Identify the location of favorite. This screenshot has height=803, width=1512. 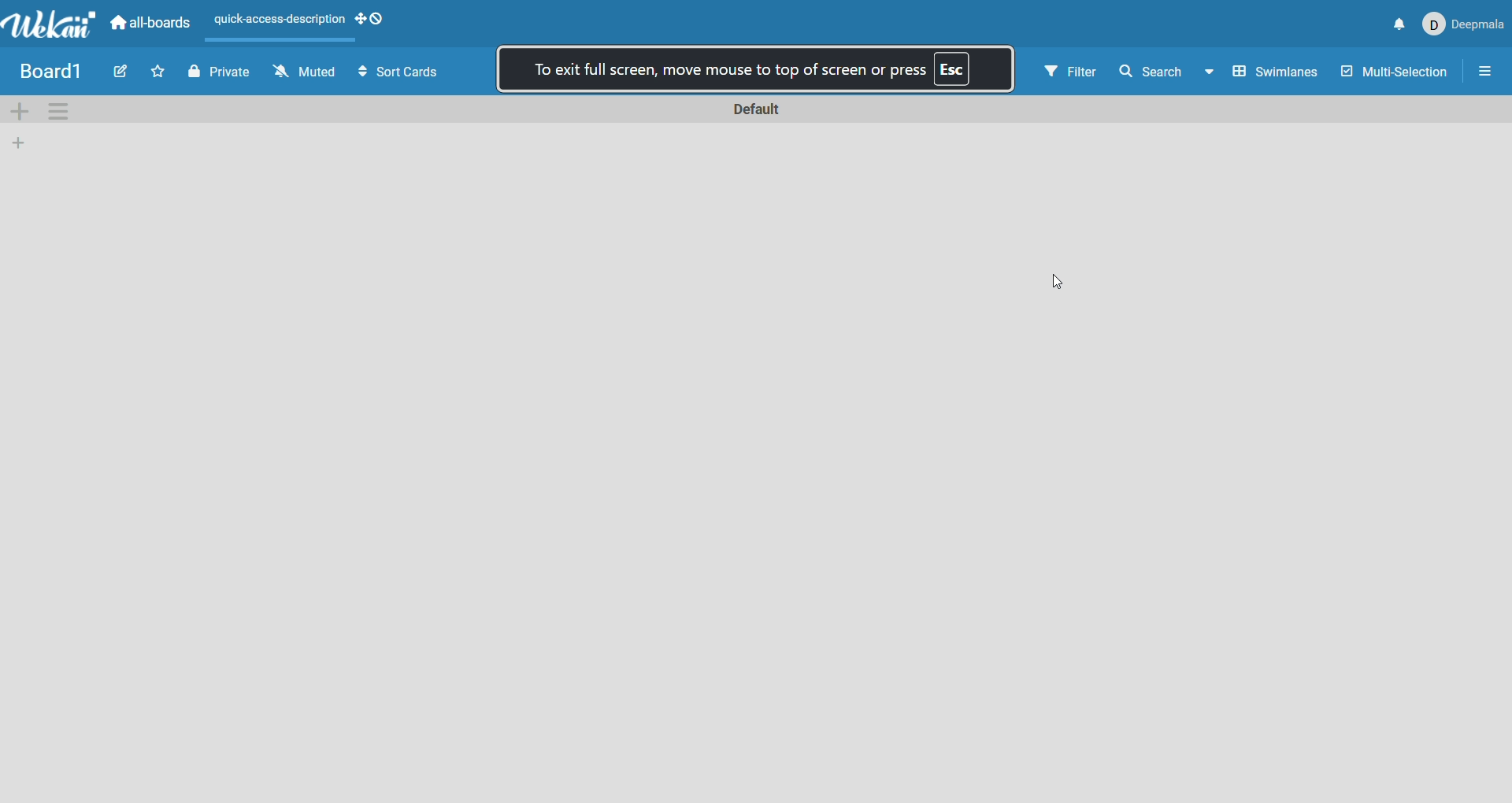
(160, 73).